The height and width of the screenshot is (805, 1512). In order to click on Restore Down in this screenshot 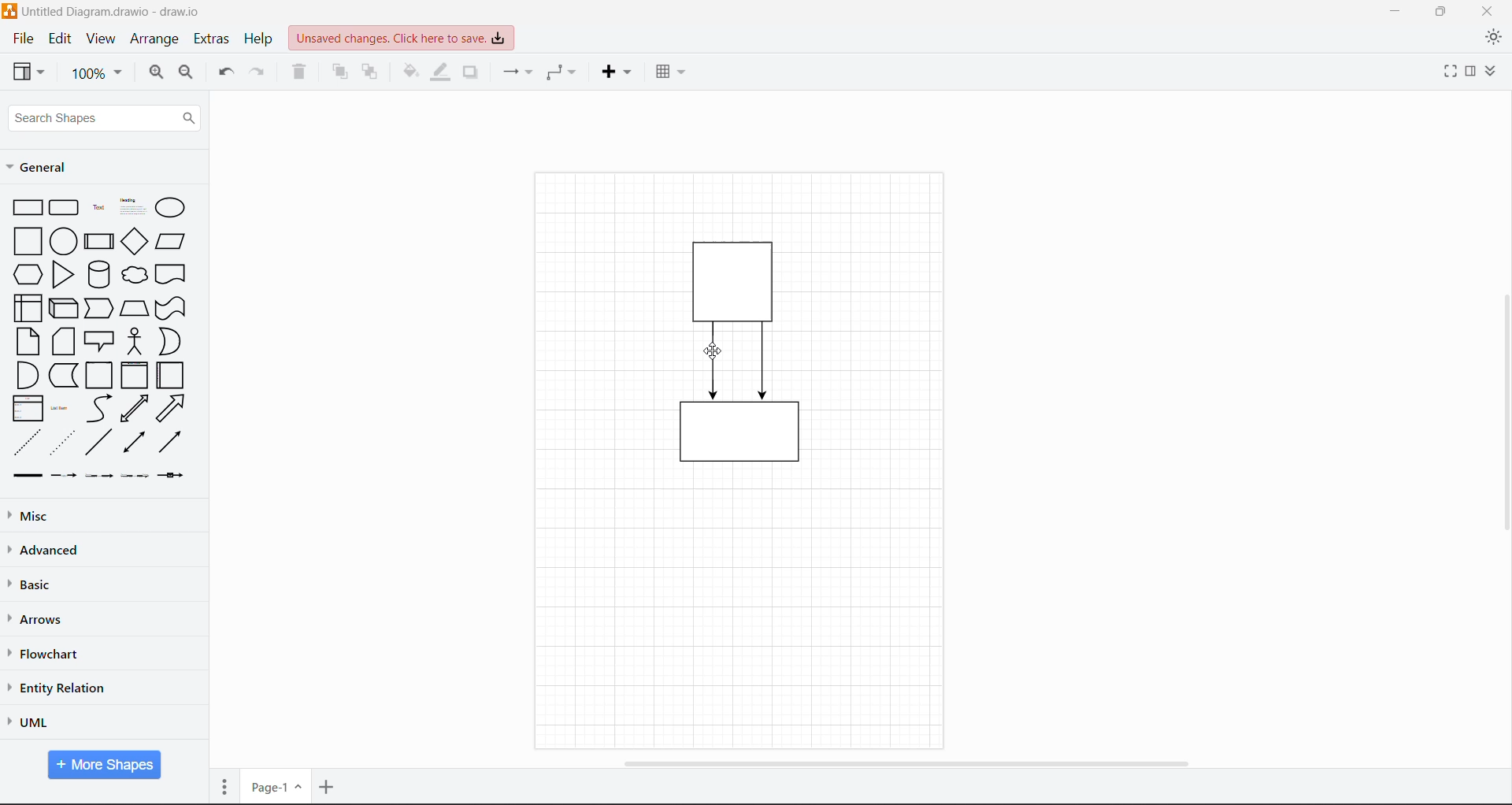, I will do `click(1441, 10)`.